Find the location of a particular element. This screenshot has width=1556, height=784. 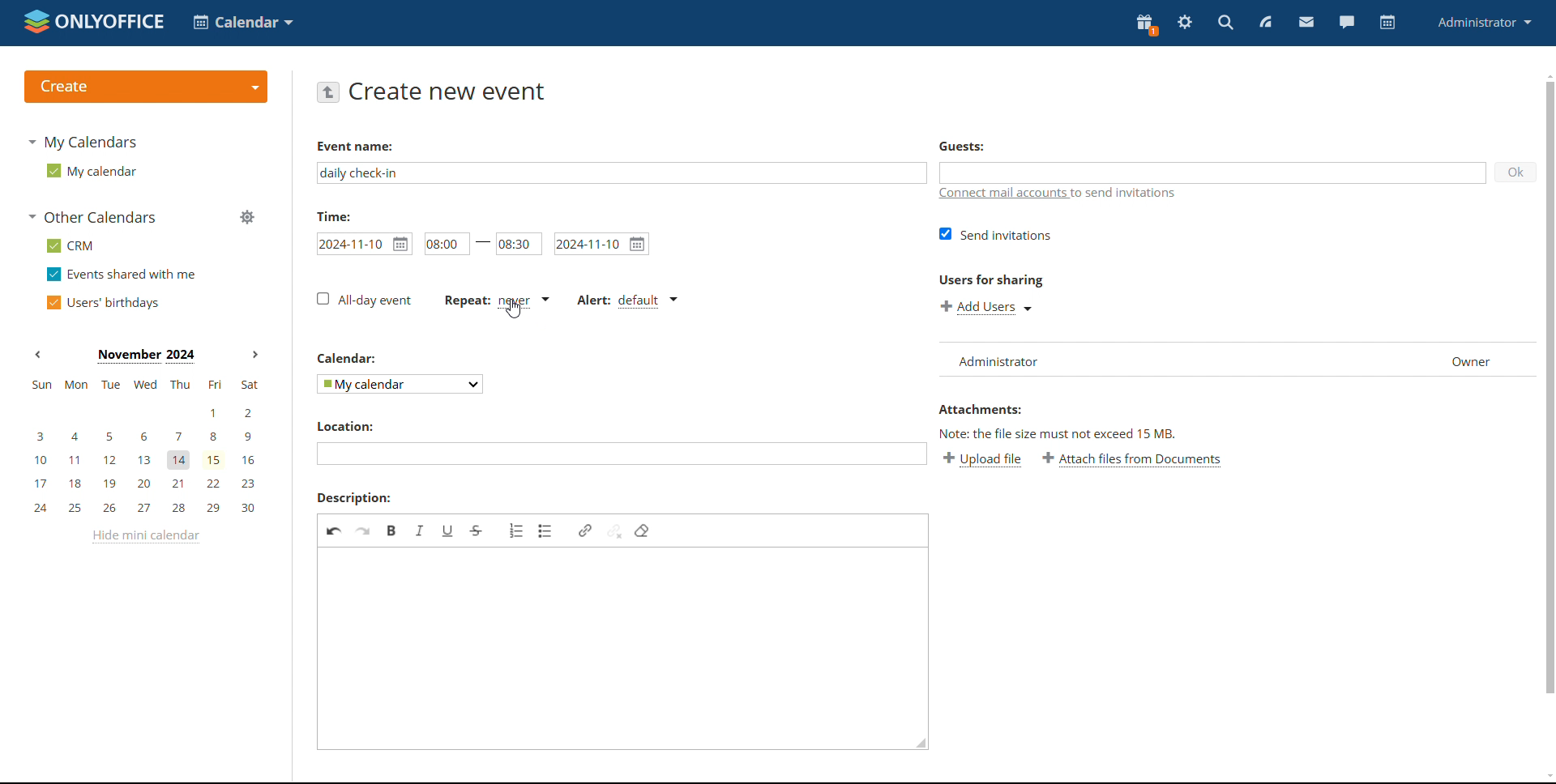

calendar is located at coordinates (1387, 23).